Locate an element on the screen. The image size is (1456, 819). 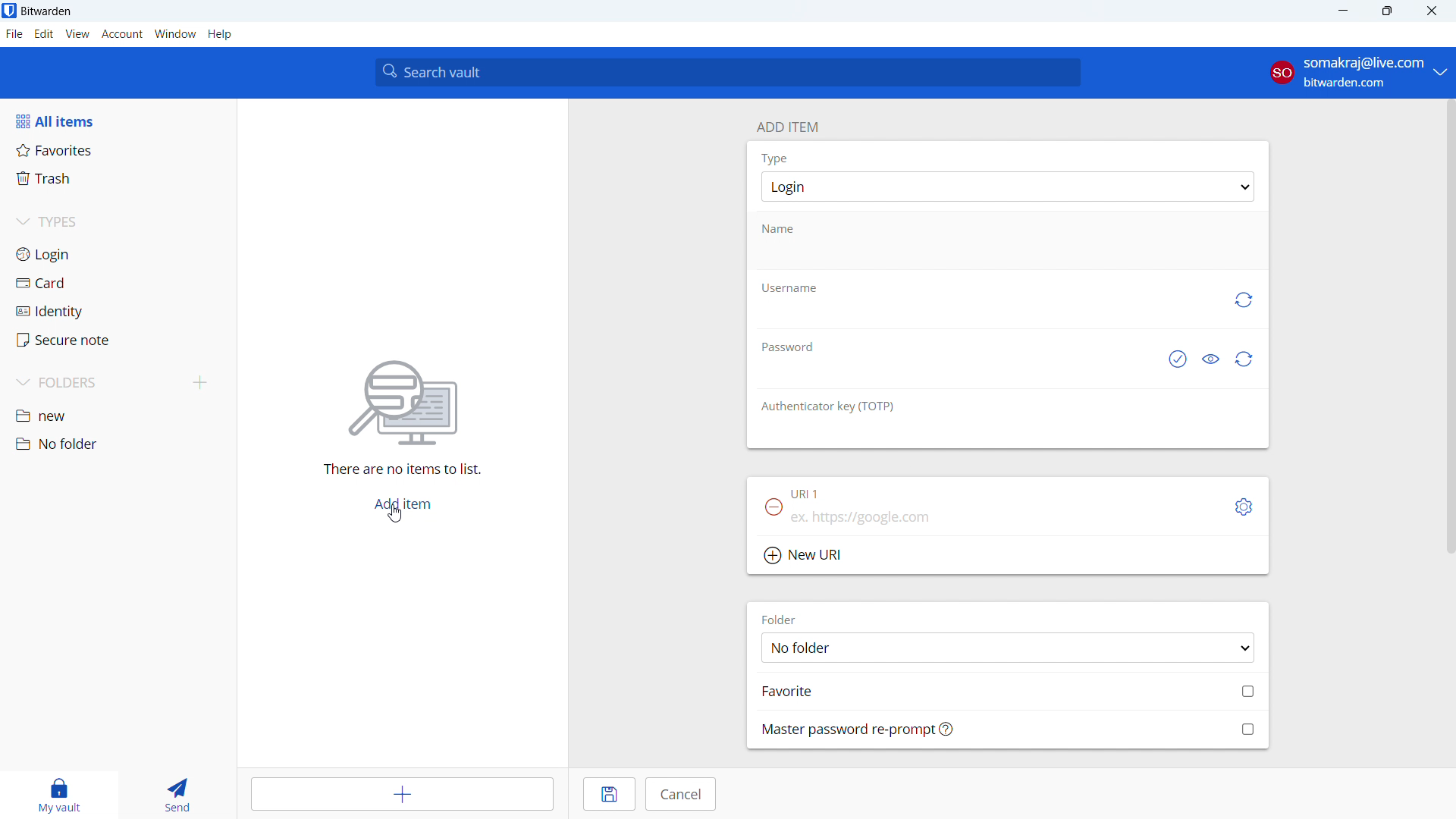
new is located at coordinates (118, 417).